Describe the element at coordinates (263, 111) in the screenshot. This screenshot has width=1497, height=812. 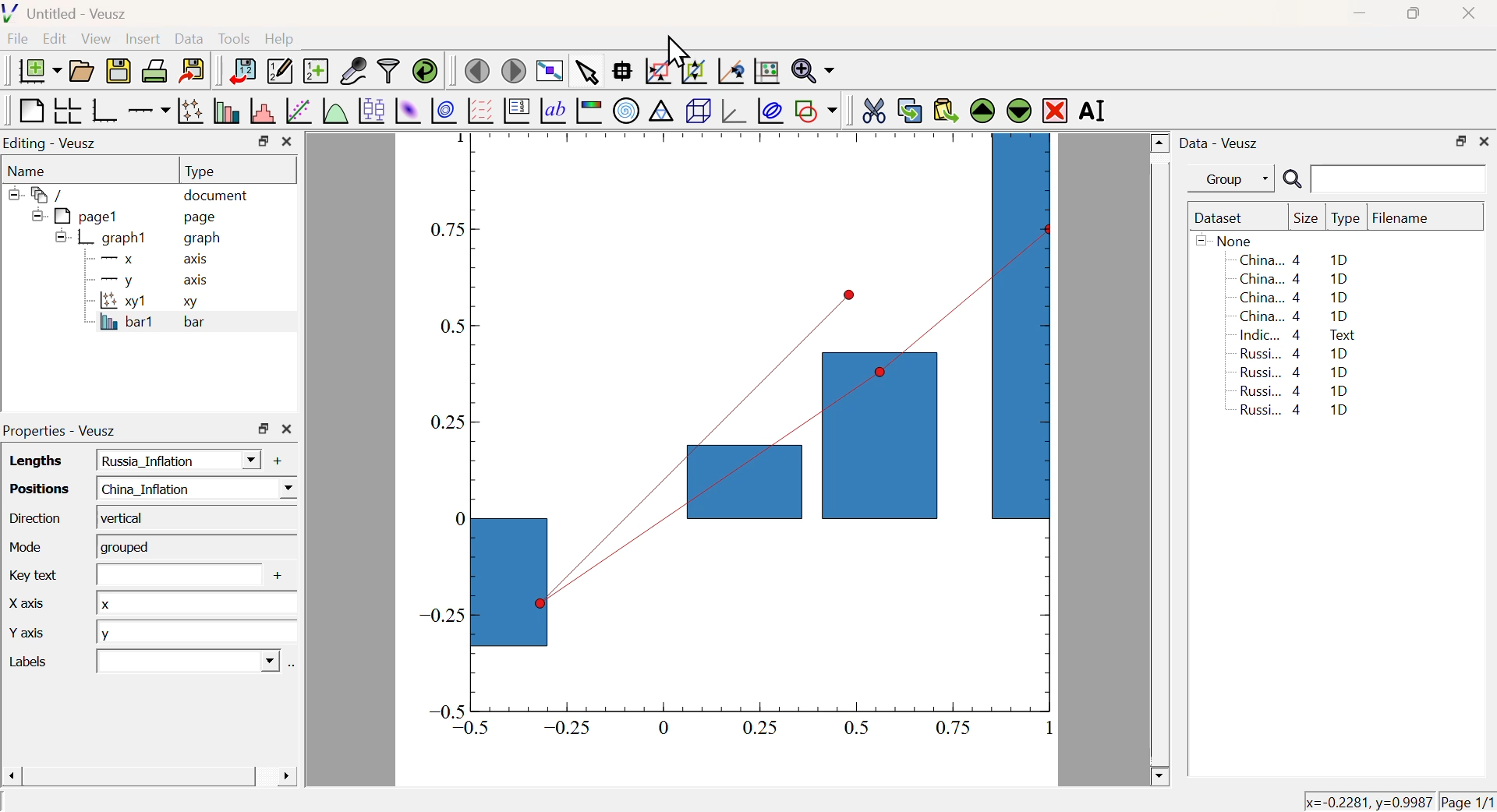
I see `Histogram of a dataset` at that location.